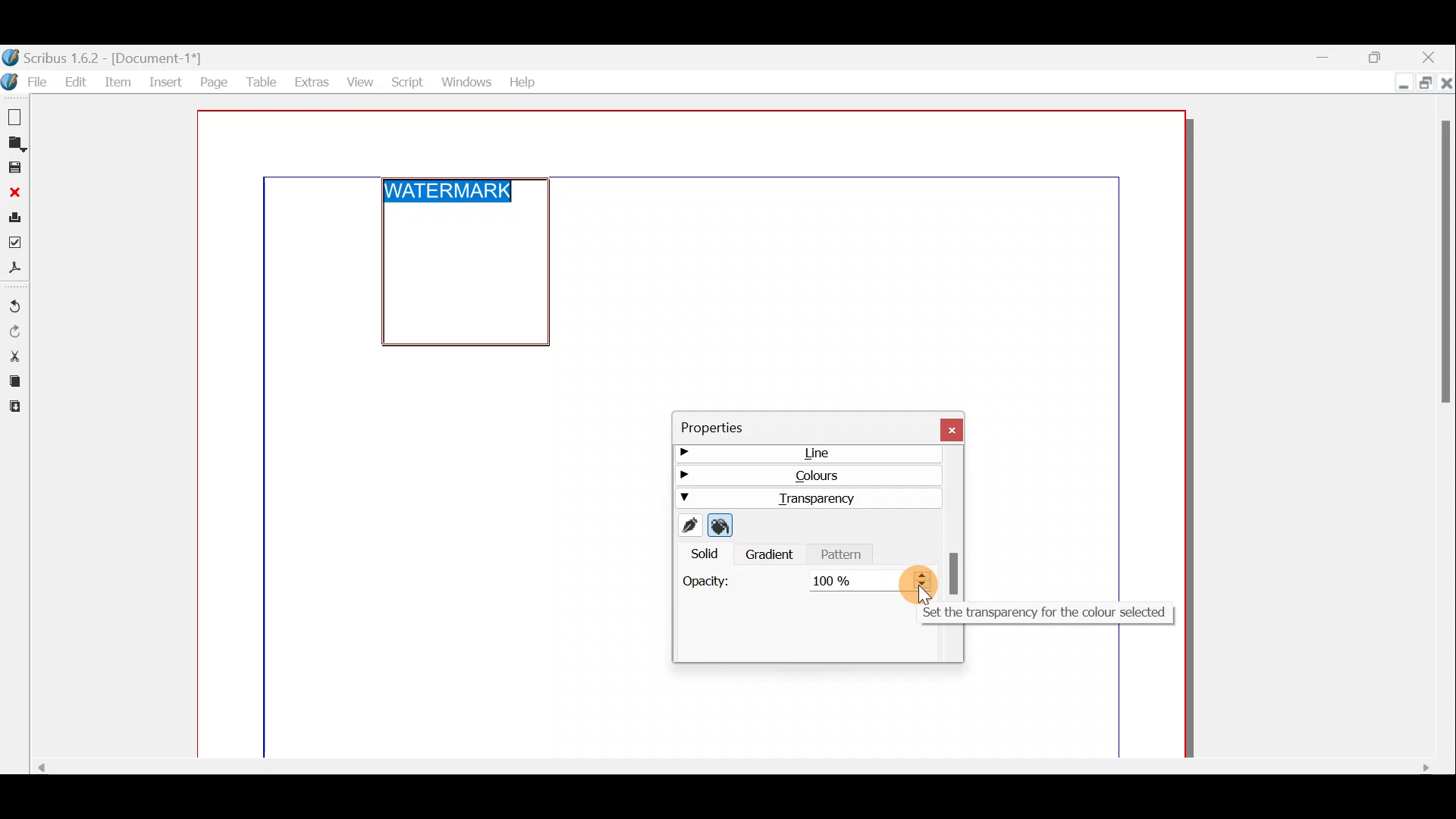 The image size is (1456, 819). Describe the element at coordinates (447, 190) in the screenshot. I see `WATERMARK` at that location.